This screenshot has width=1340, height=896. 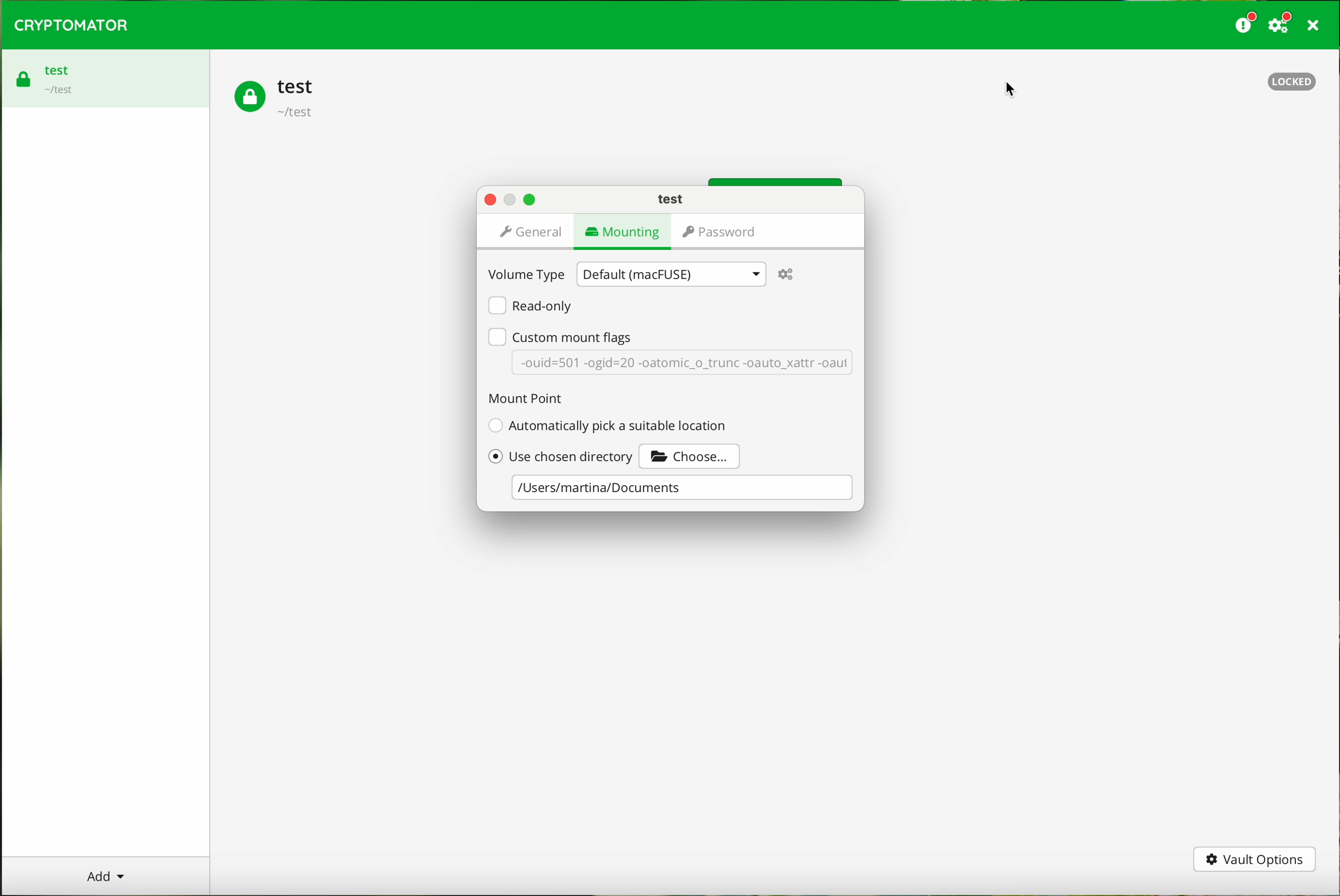 I want to click on settings, so click(x=787, y=275).